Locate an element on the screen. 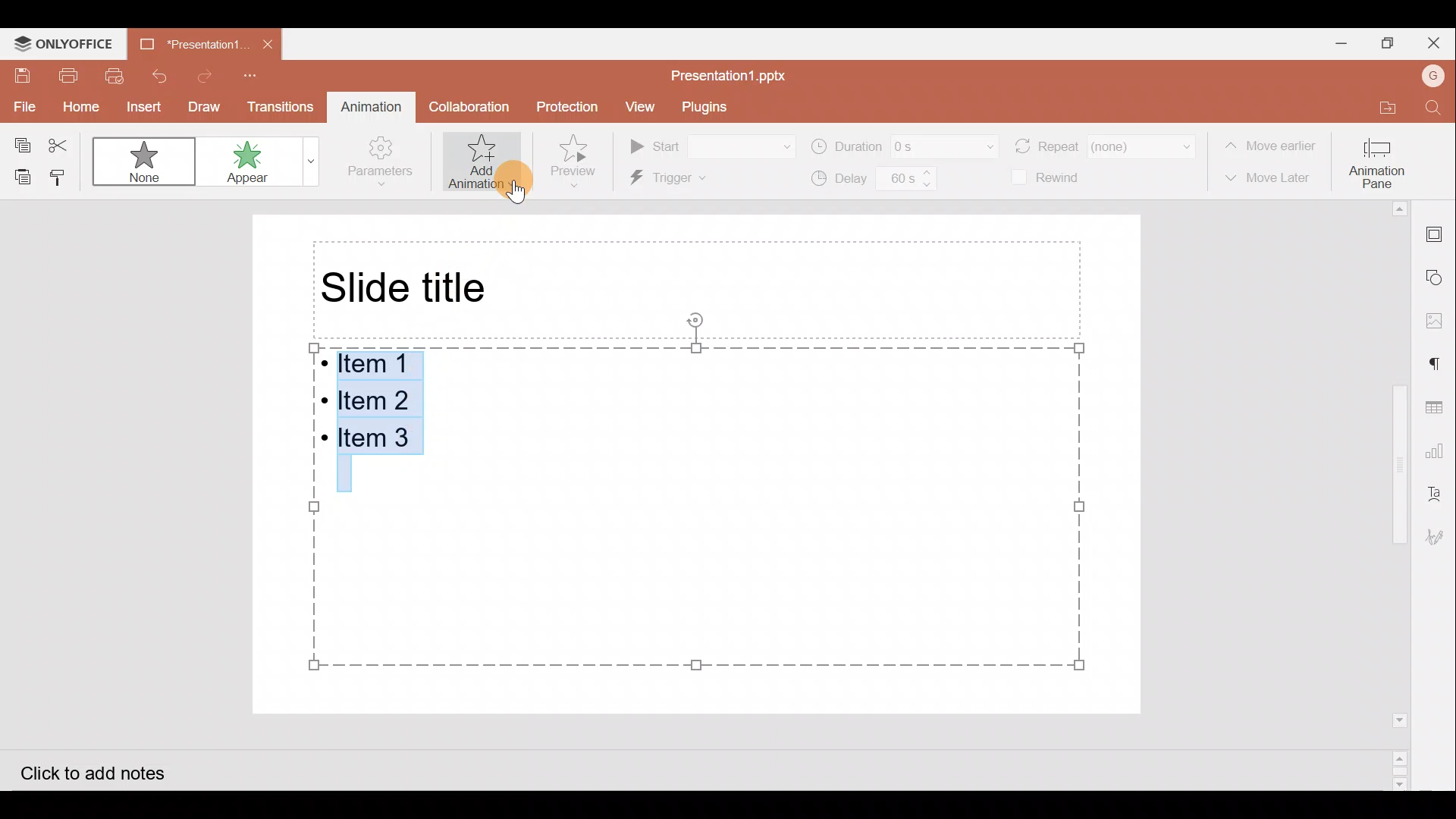 This screenshot has height=819, width=1456. Transitions is located at coordinates (275, 106).